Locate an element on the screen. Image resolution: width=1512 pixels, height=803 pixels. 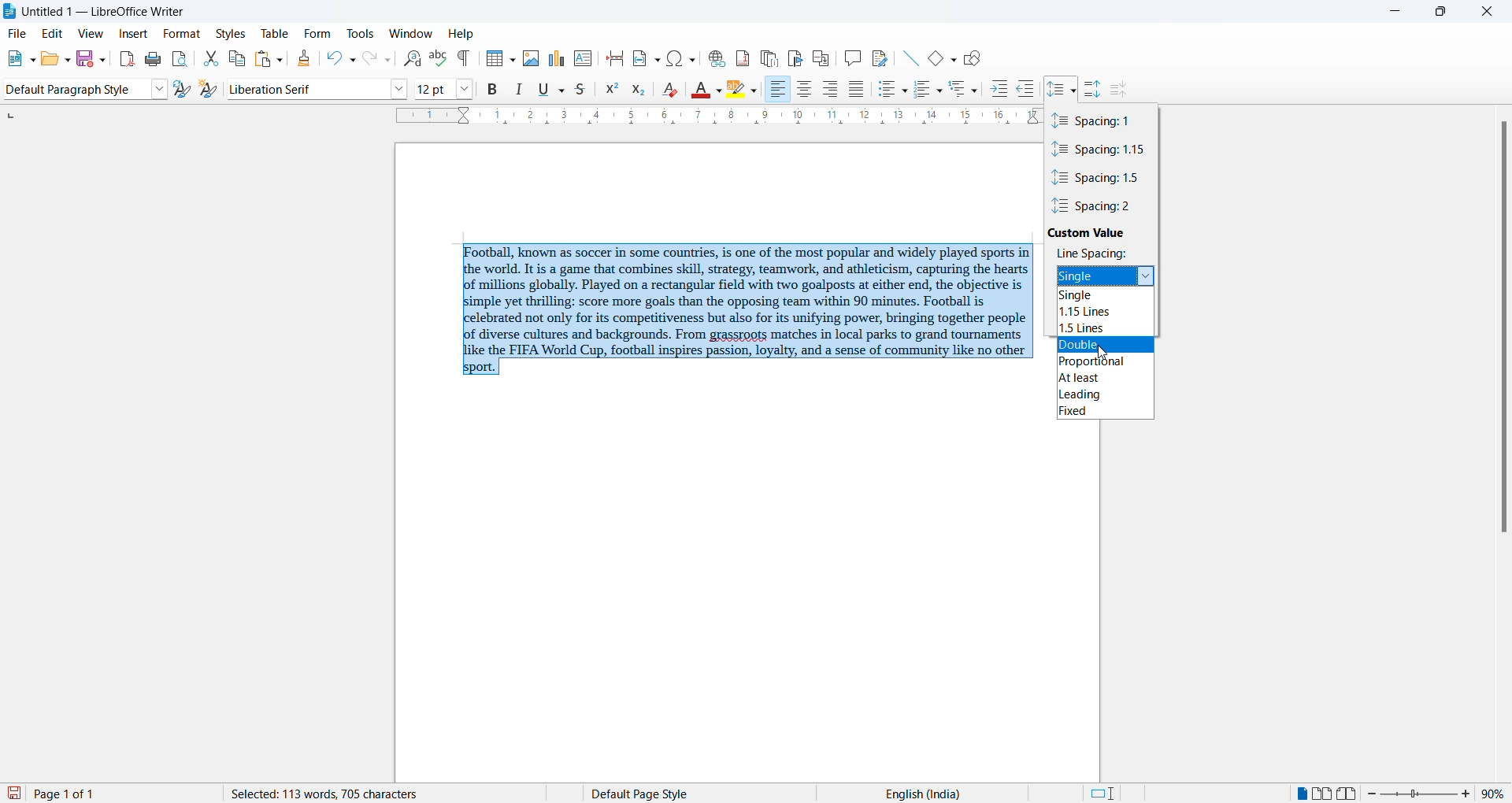
text language is located at coordinates (976, 793).